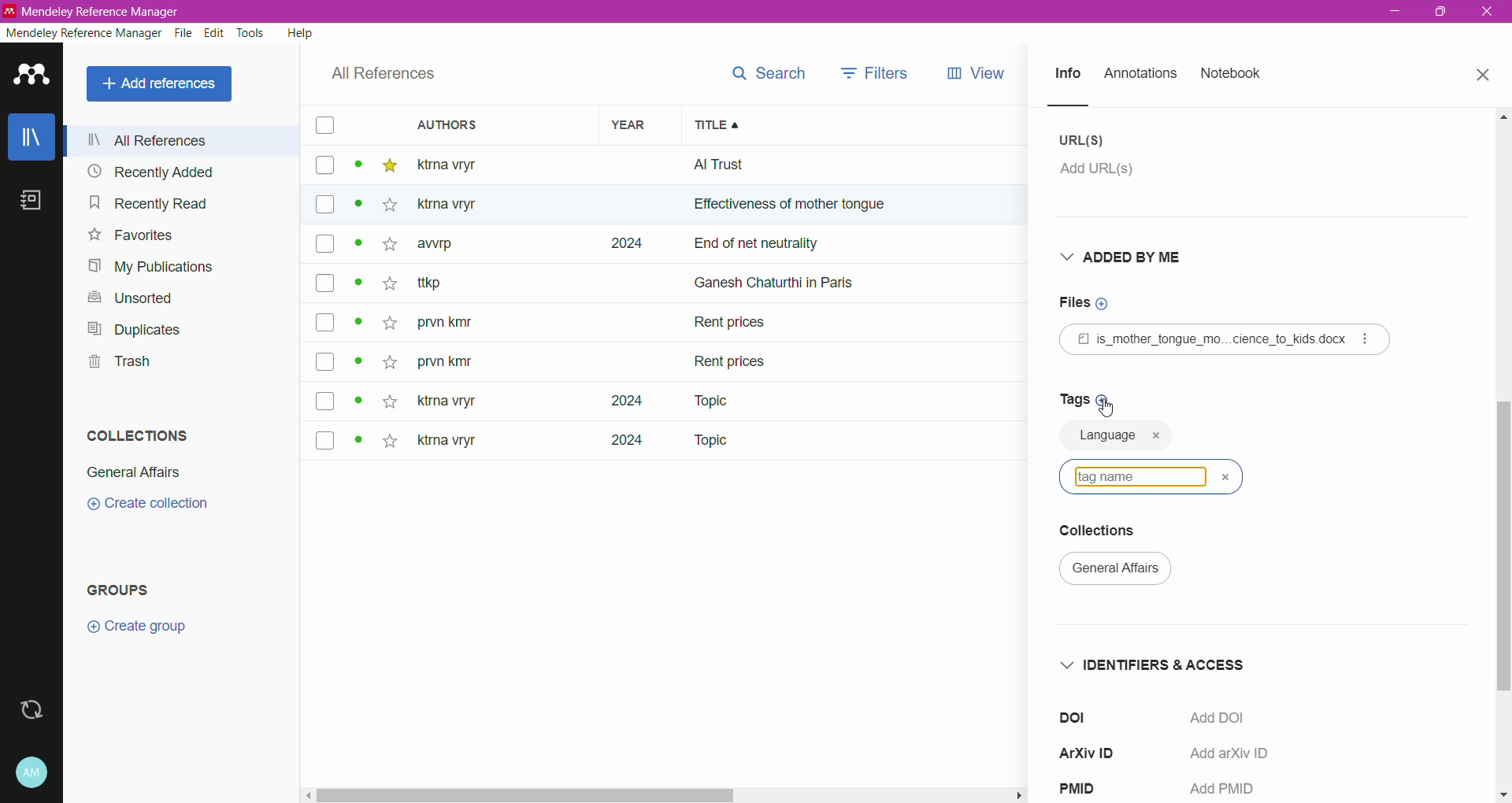 Image resolution: width=1512 pixels, height=803 pixels. Describe the element at coordinates (1132, 257) in the screenshot. I see `Added By Me` at that location.